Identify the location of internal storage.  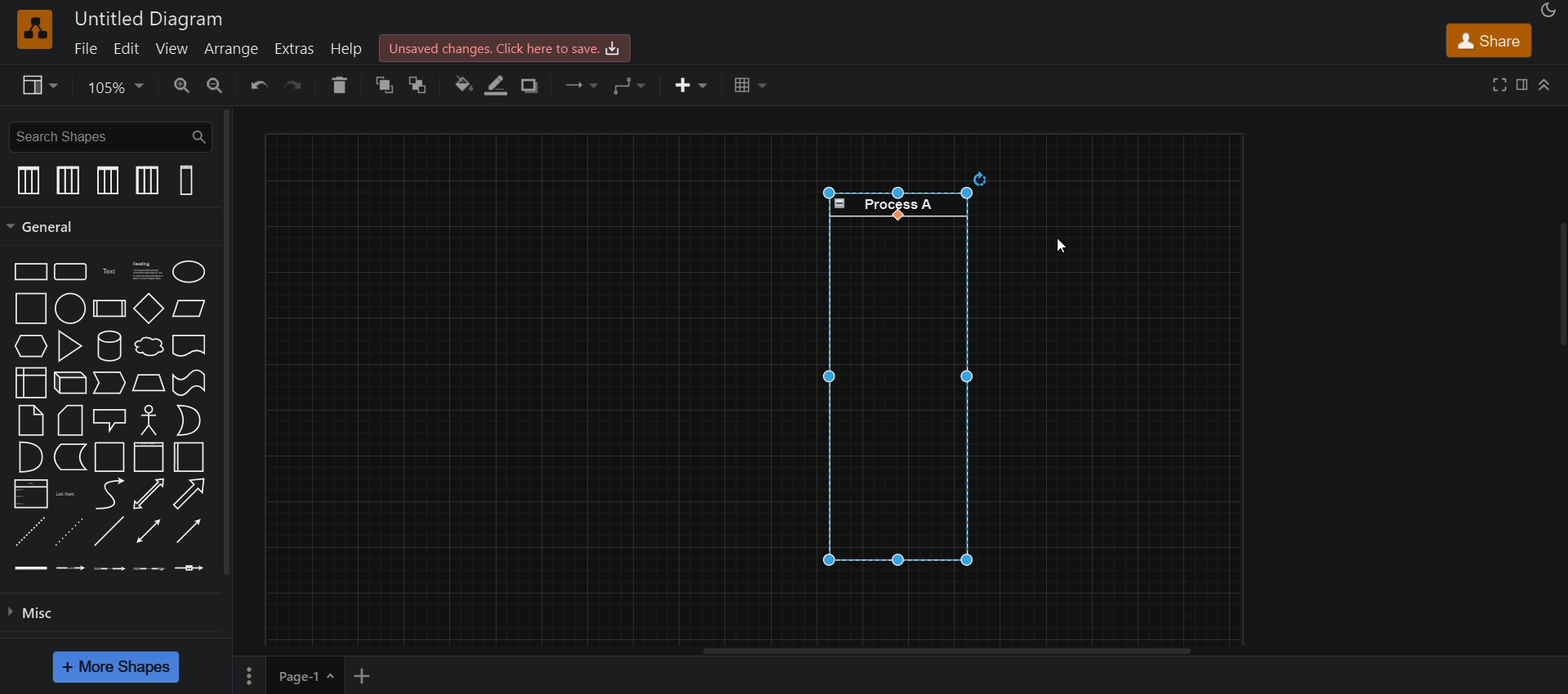
(30, 383).